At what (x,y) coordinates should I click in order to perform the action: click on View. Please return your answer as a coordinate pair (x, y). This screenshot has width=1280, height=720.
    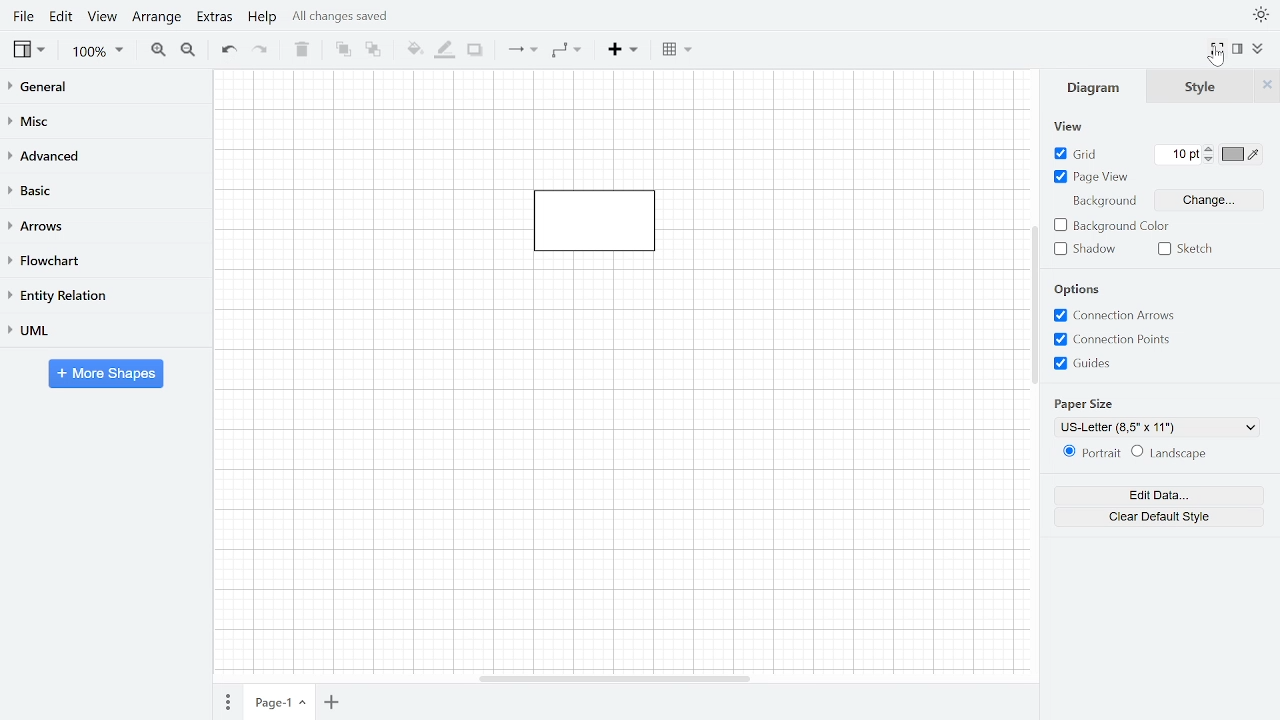
    Looking at the image, I should click on (31, 52).